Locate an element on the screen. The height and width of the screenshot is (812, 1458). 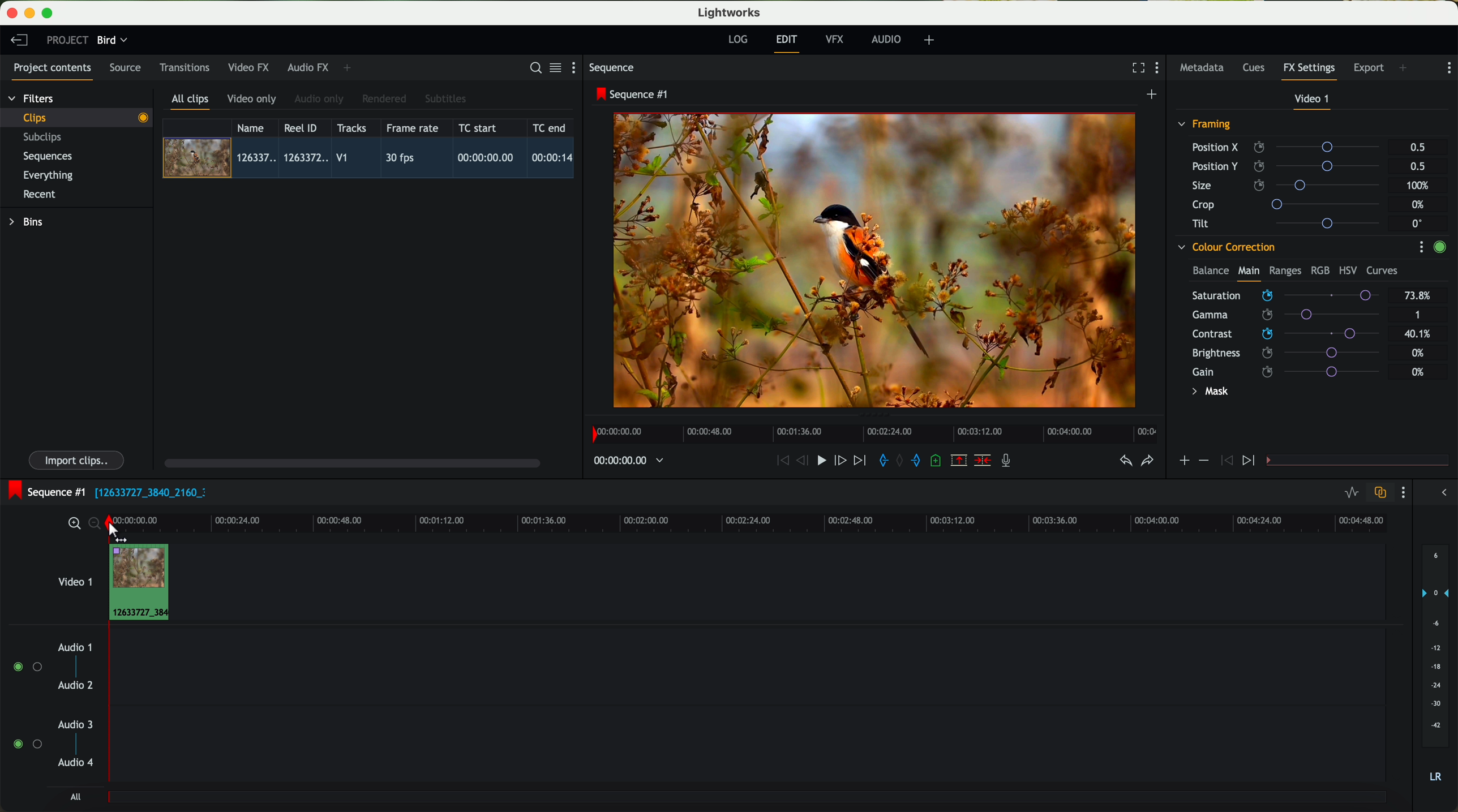
edit is located at coordinates (788, 42).